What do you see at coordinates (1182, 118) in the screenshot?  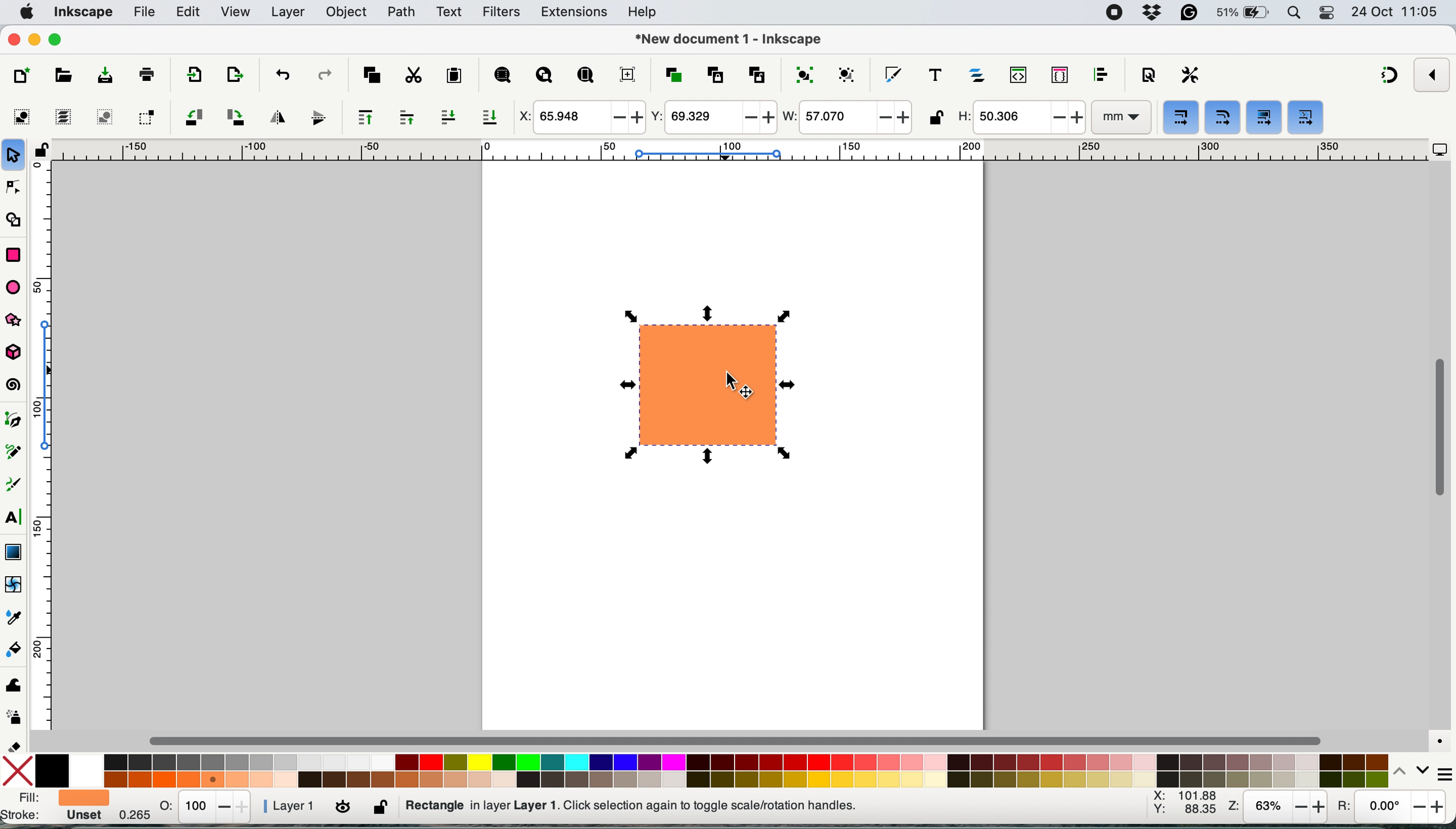 I see `when scaling objects scale the stroke width by same proportion` at bounding box center [1182, 118].